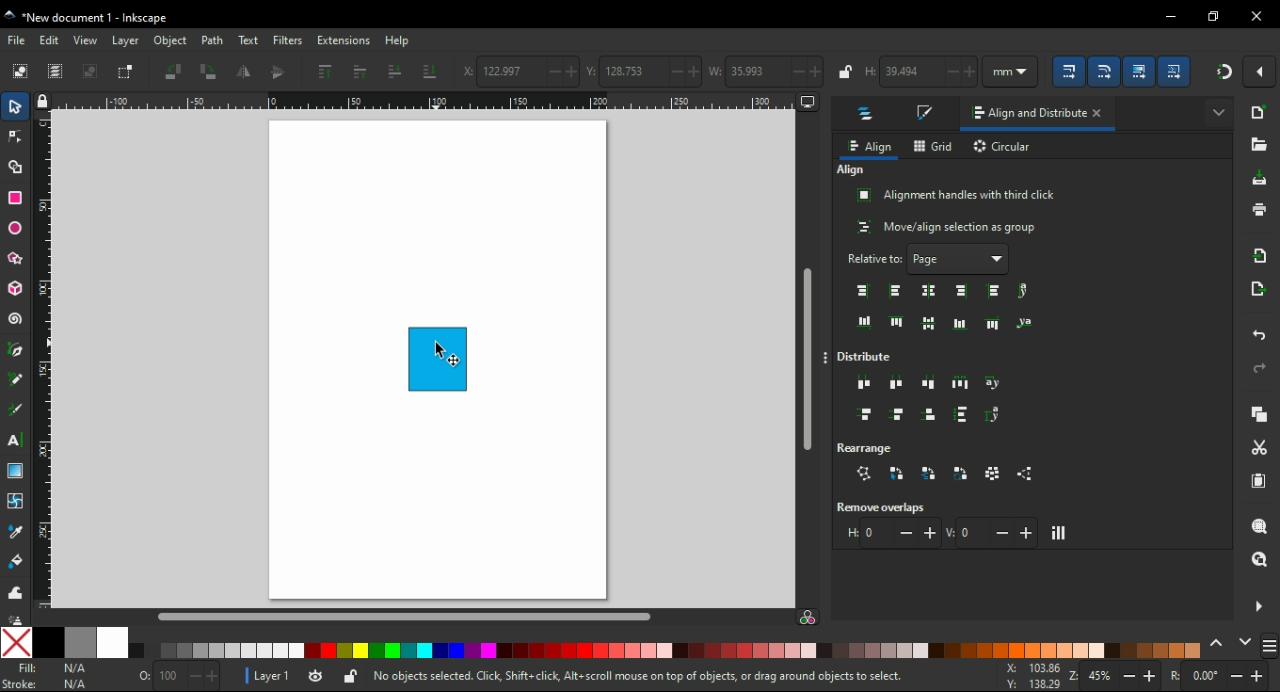  Describe the element at coordinates (1258, 368) in the screenshot. I see `redo` at that location.